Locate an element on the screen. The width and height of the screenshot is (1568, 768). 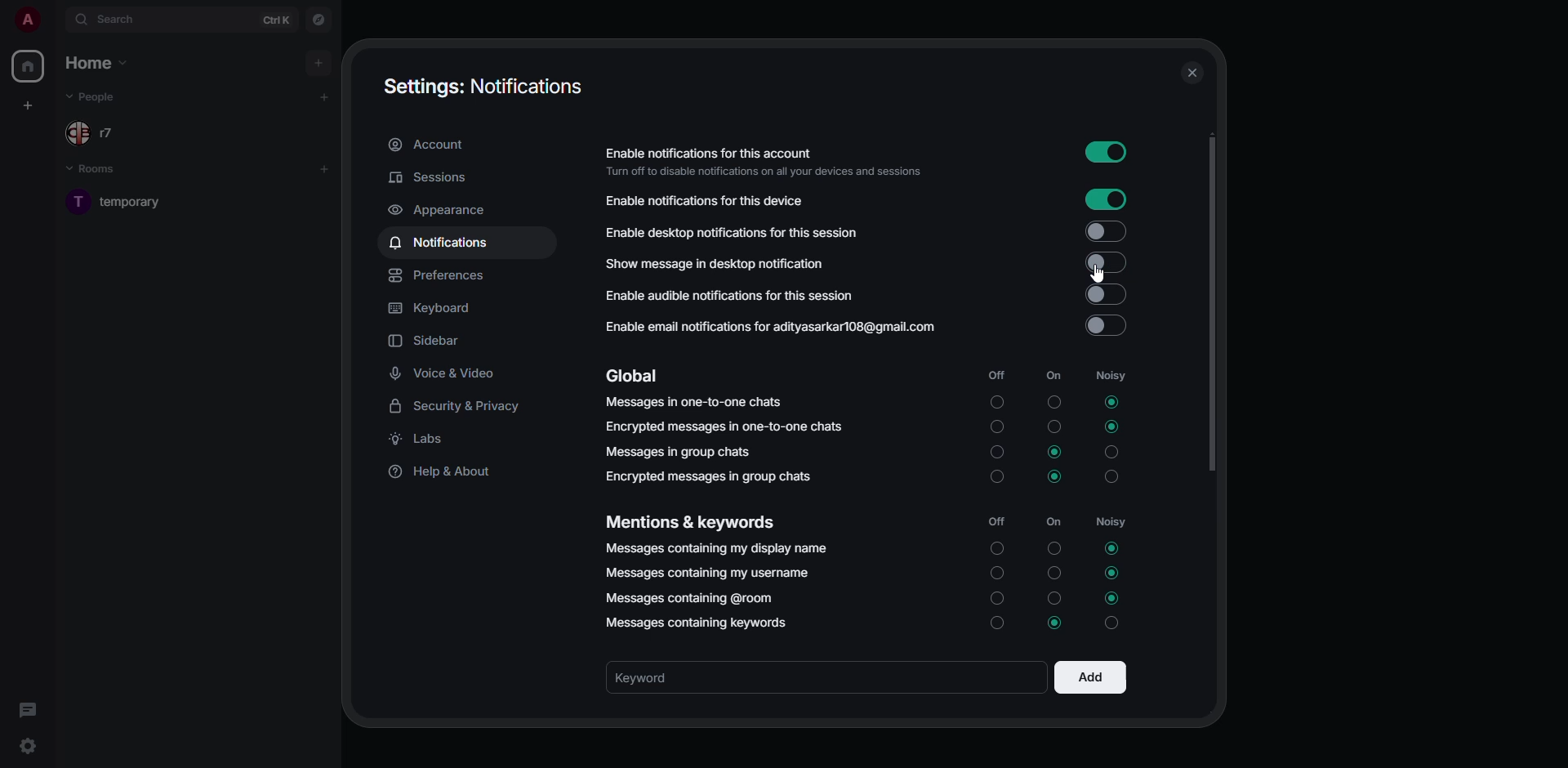
labs is located at coordinates (423, 441).